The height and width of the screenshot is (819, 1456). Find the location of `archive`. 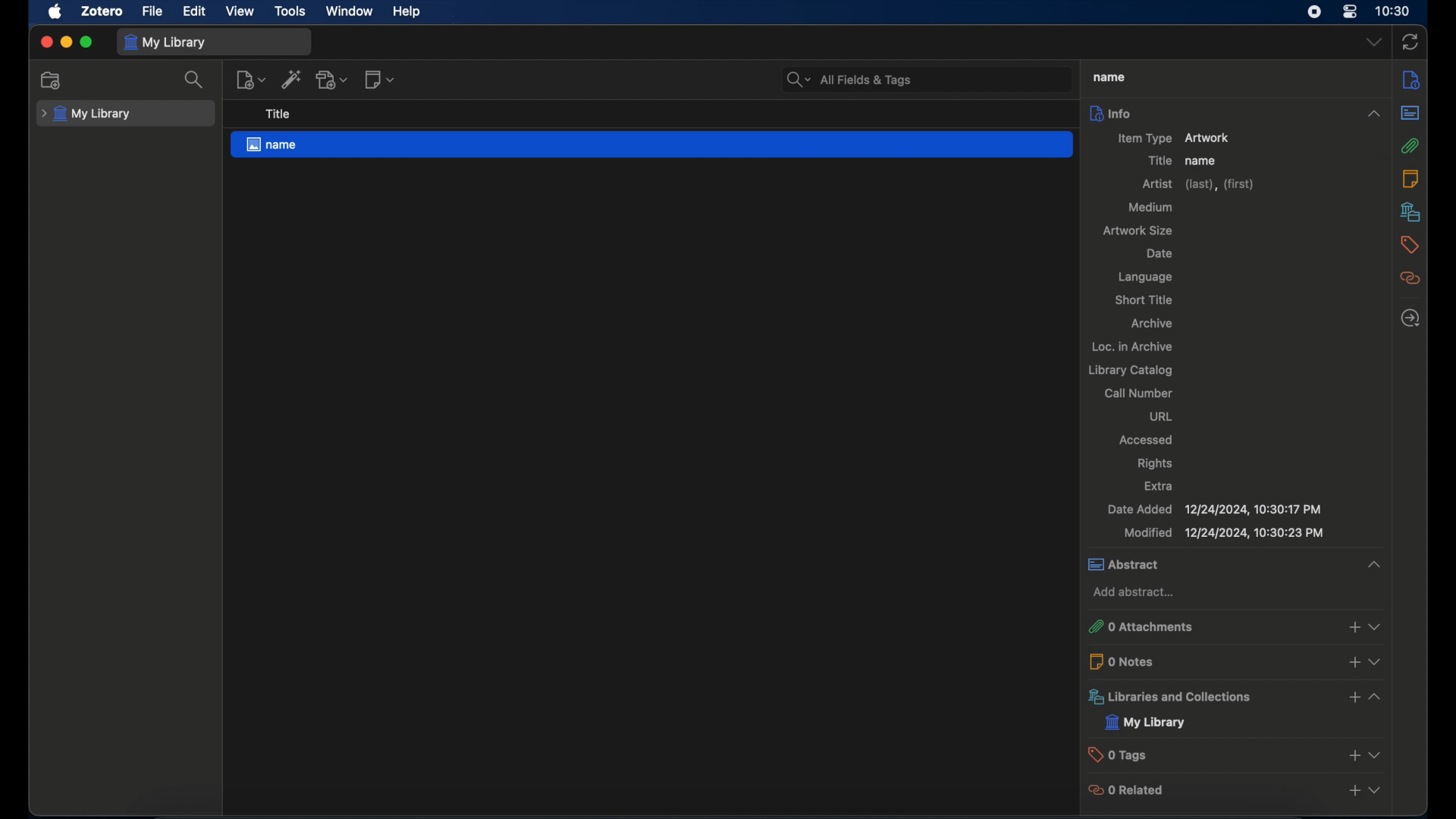

archive is located at coordinates (1152, 324).